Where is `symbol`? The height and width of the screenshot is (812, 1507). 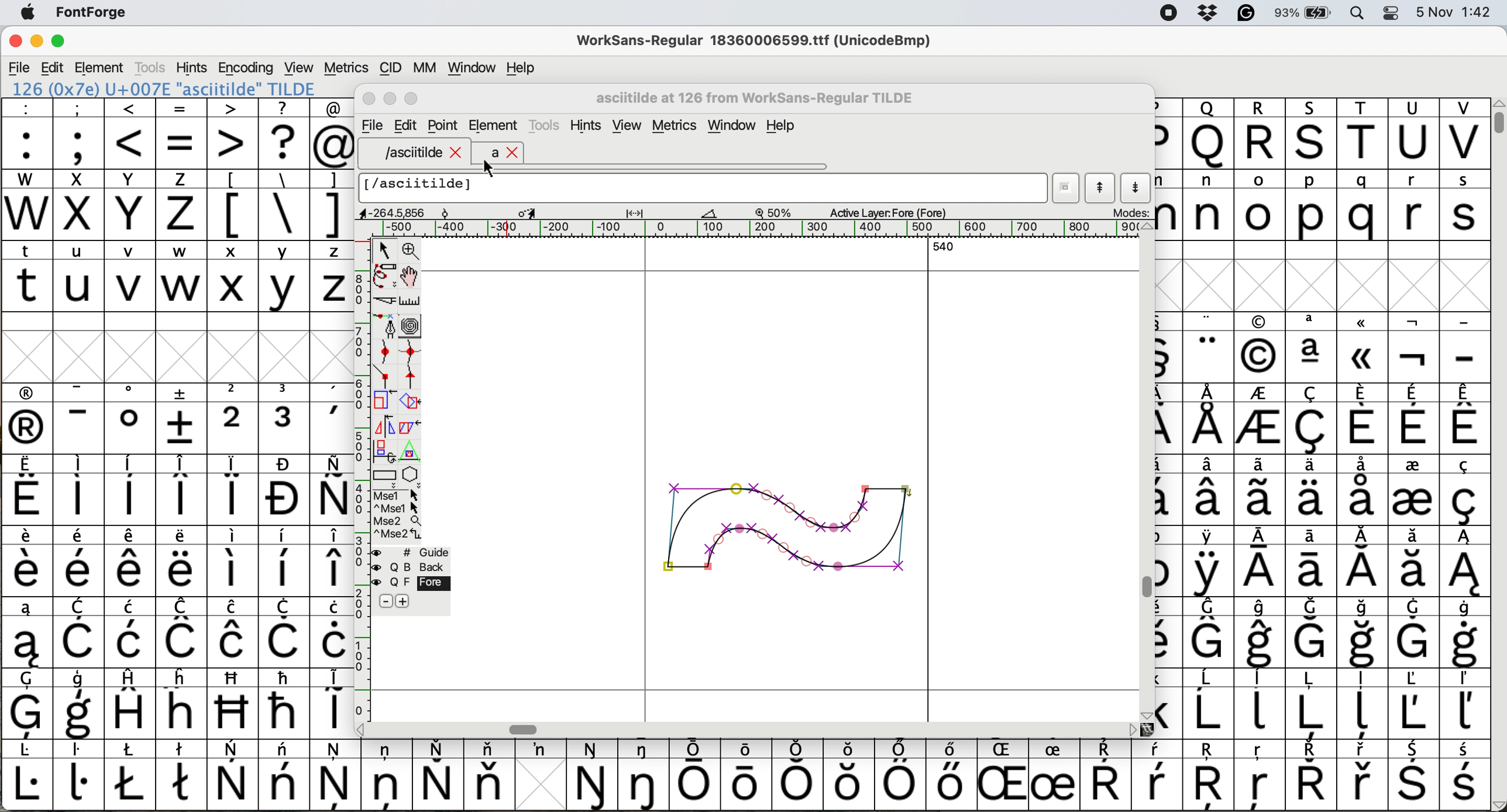
symbol is located at coordinates (233, 560).